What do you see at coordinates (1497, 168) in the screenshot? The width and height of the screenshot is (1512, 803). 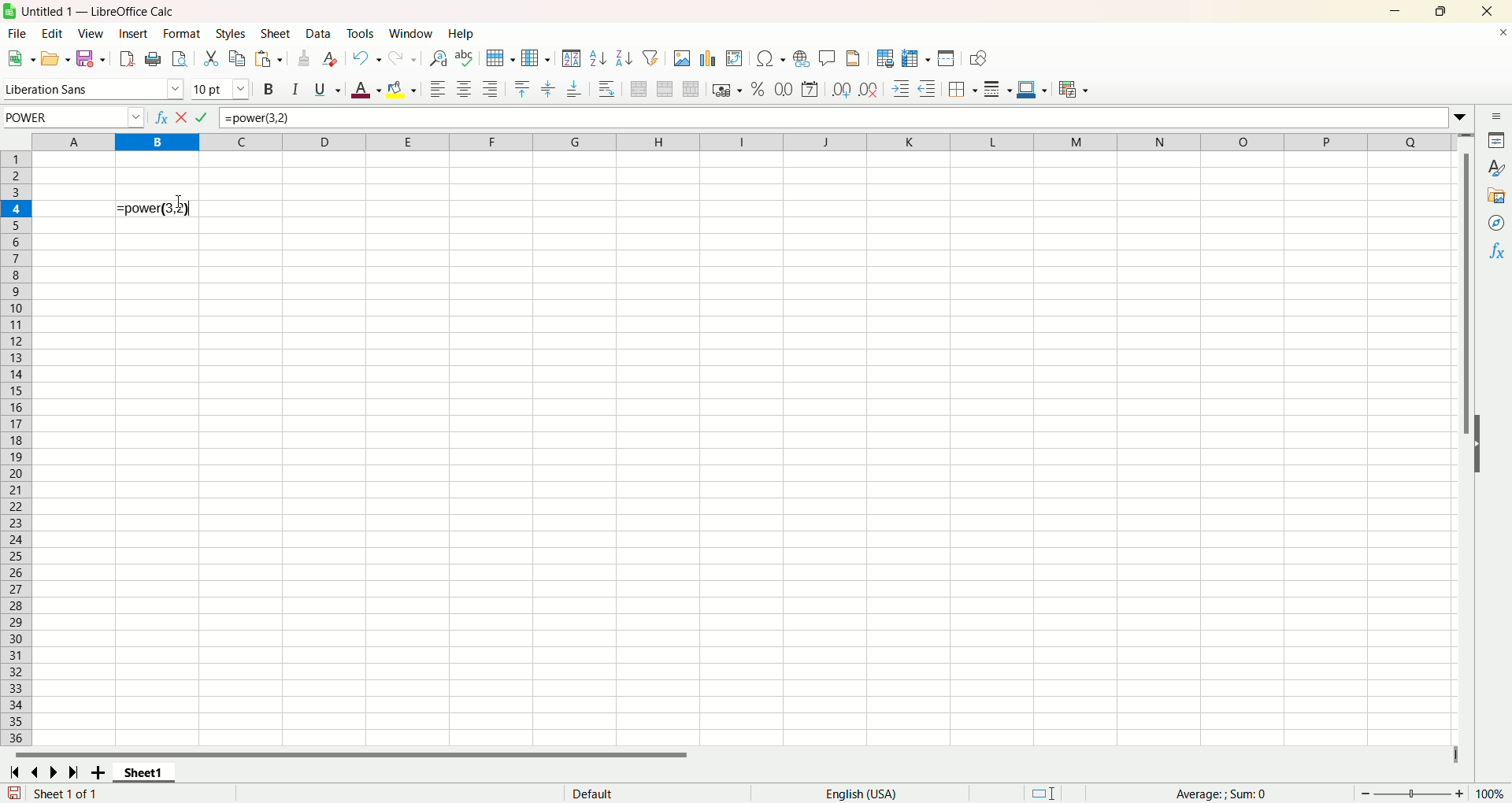 I see `styles` at bounding box center [1497, 168].